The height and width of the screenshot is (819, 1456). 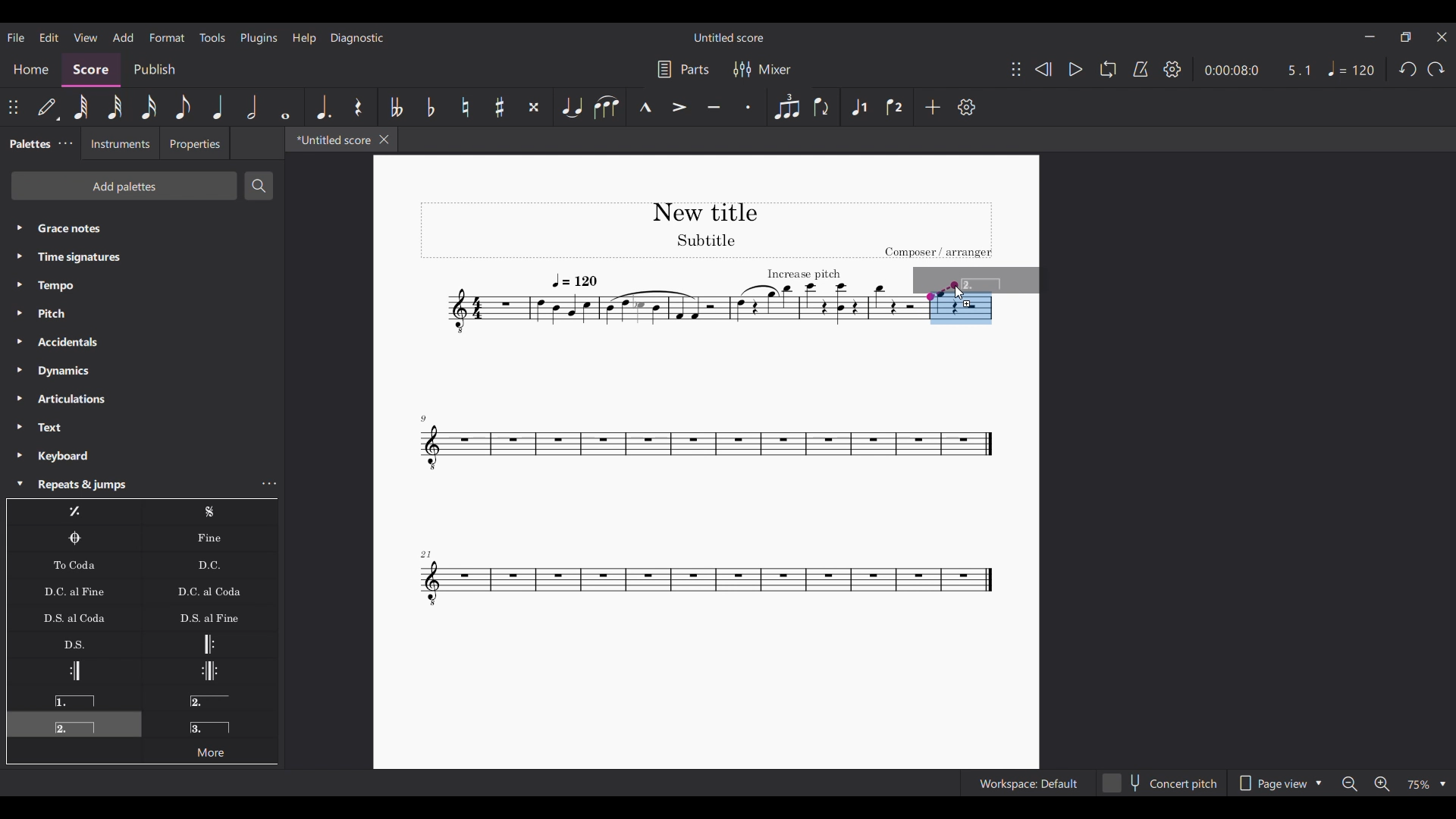 I want to click on Add menu, so click(x=124, y=37).